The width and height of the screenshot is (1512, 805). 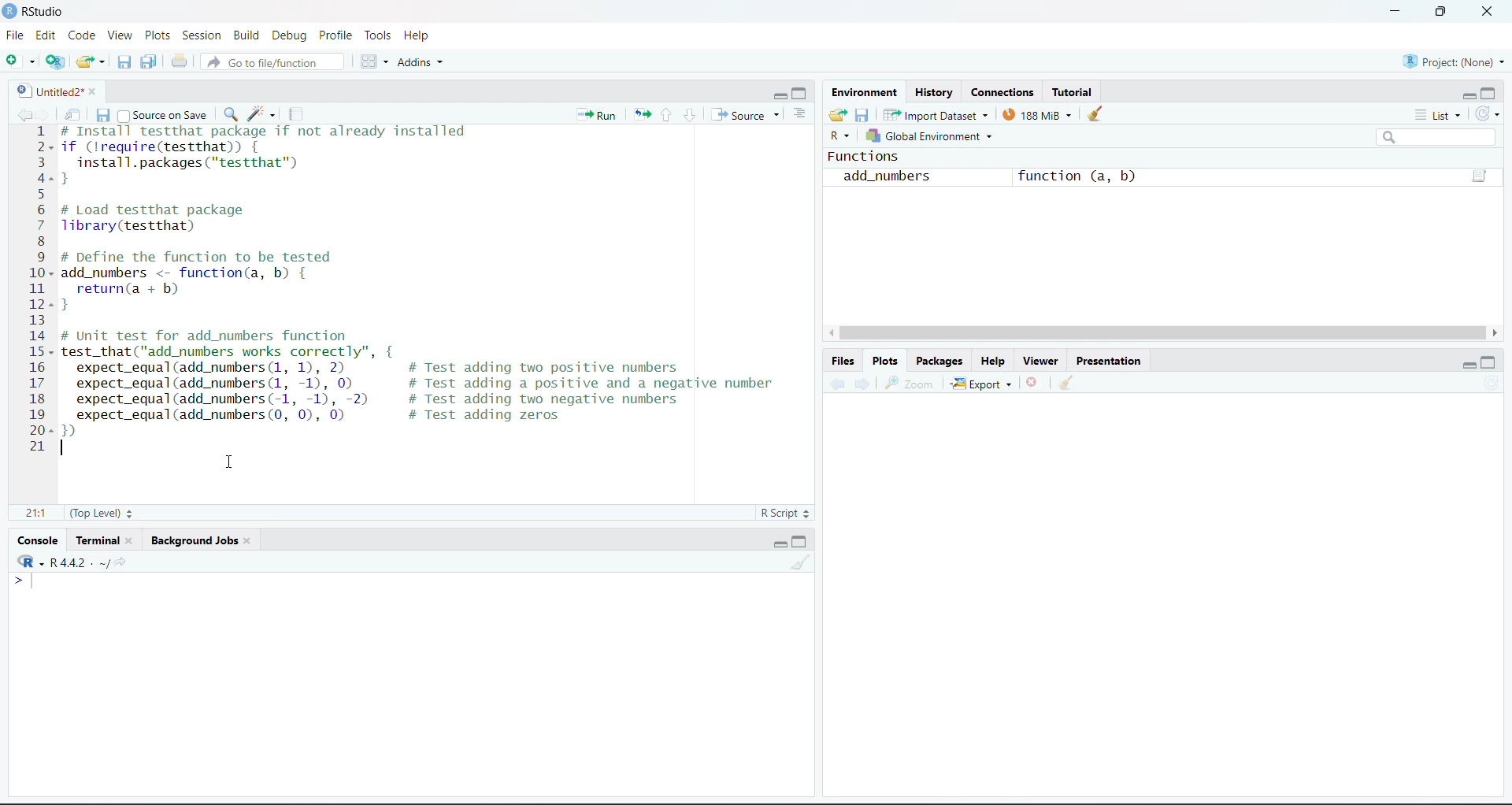 What do you see at coordinates (55, 61) in the screenshot?
I see `create a project` at bounding box center [55, 61].